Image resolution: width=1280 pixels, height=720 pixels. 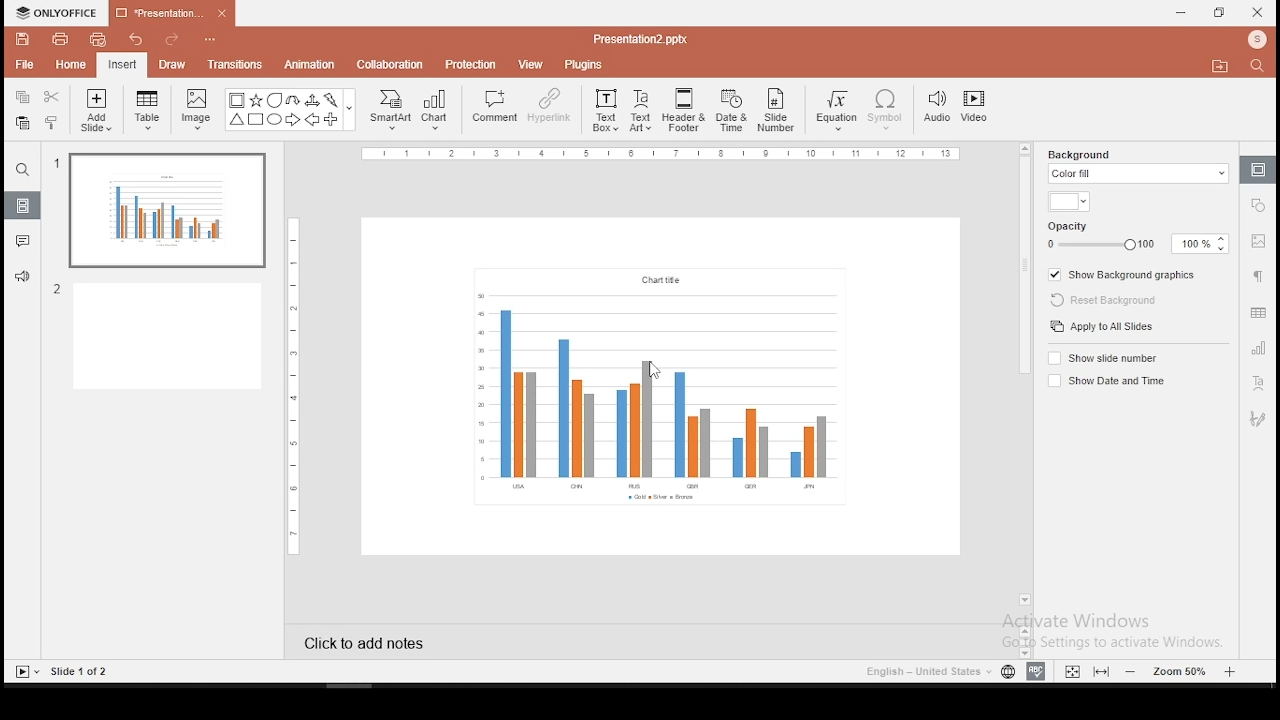 I want to click on support and feedback, so click(x=22, y=279).